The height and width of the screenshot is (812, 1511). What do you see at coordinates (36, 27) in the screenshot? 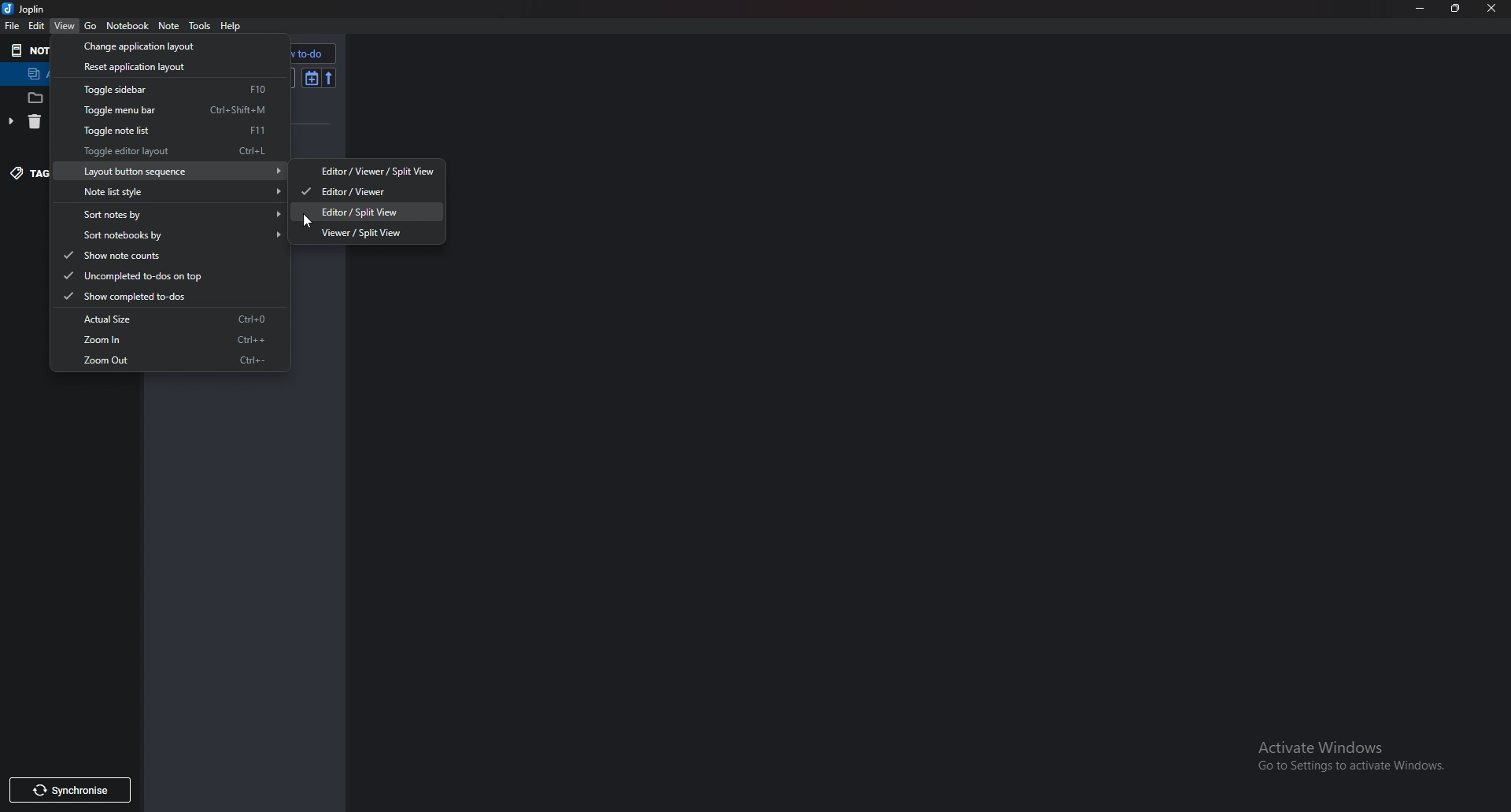
I see `edit` at bounding box center [36, 27].